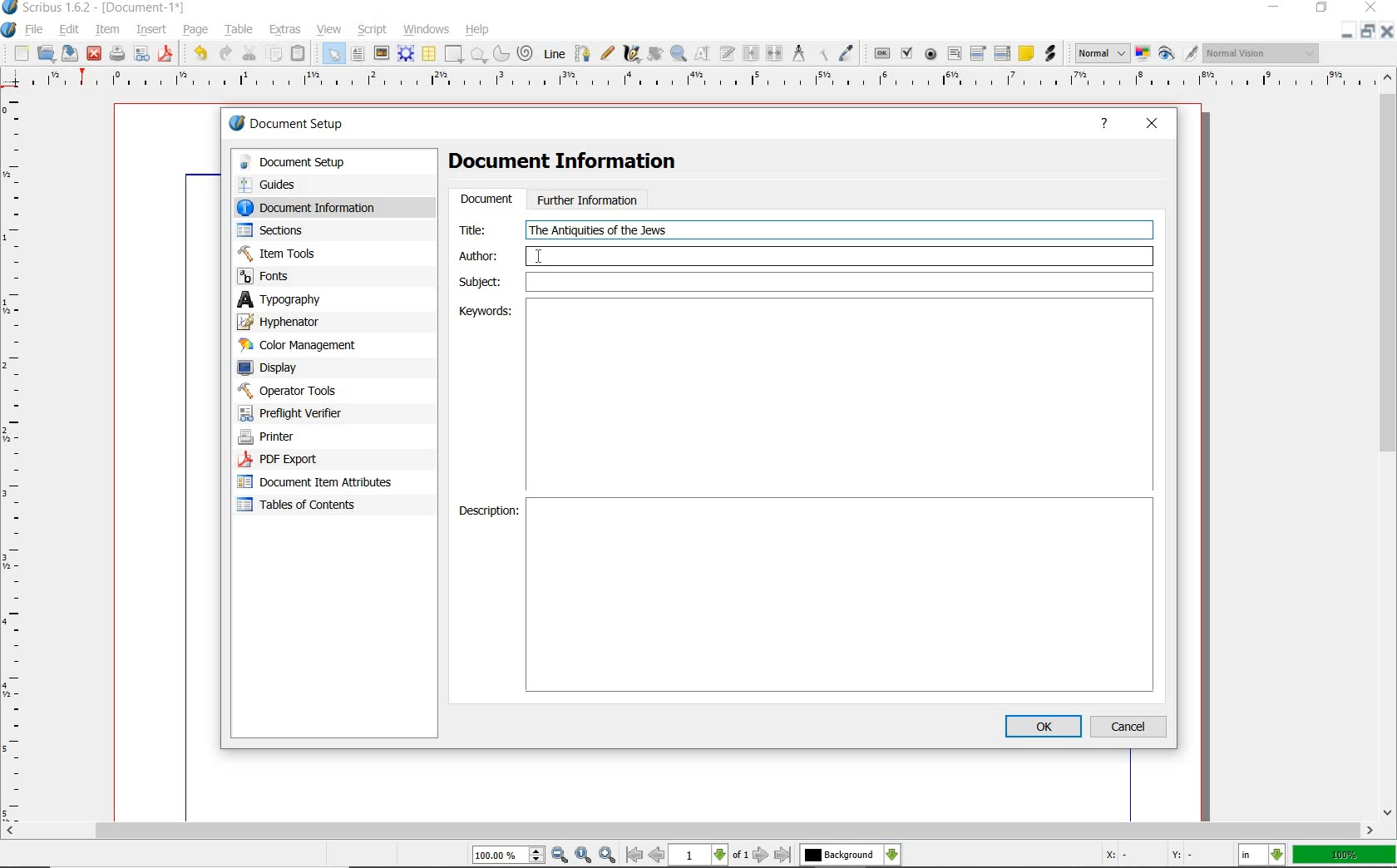 The width and height of the screenshot is (1397, 868). I want to click on visual appearance of the display, so click(1262, 52).